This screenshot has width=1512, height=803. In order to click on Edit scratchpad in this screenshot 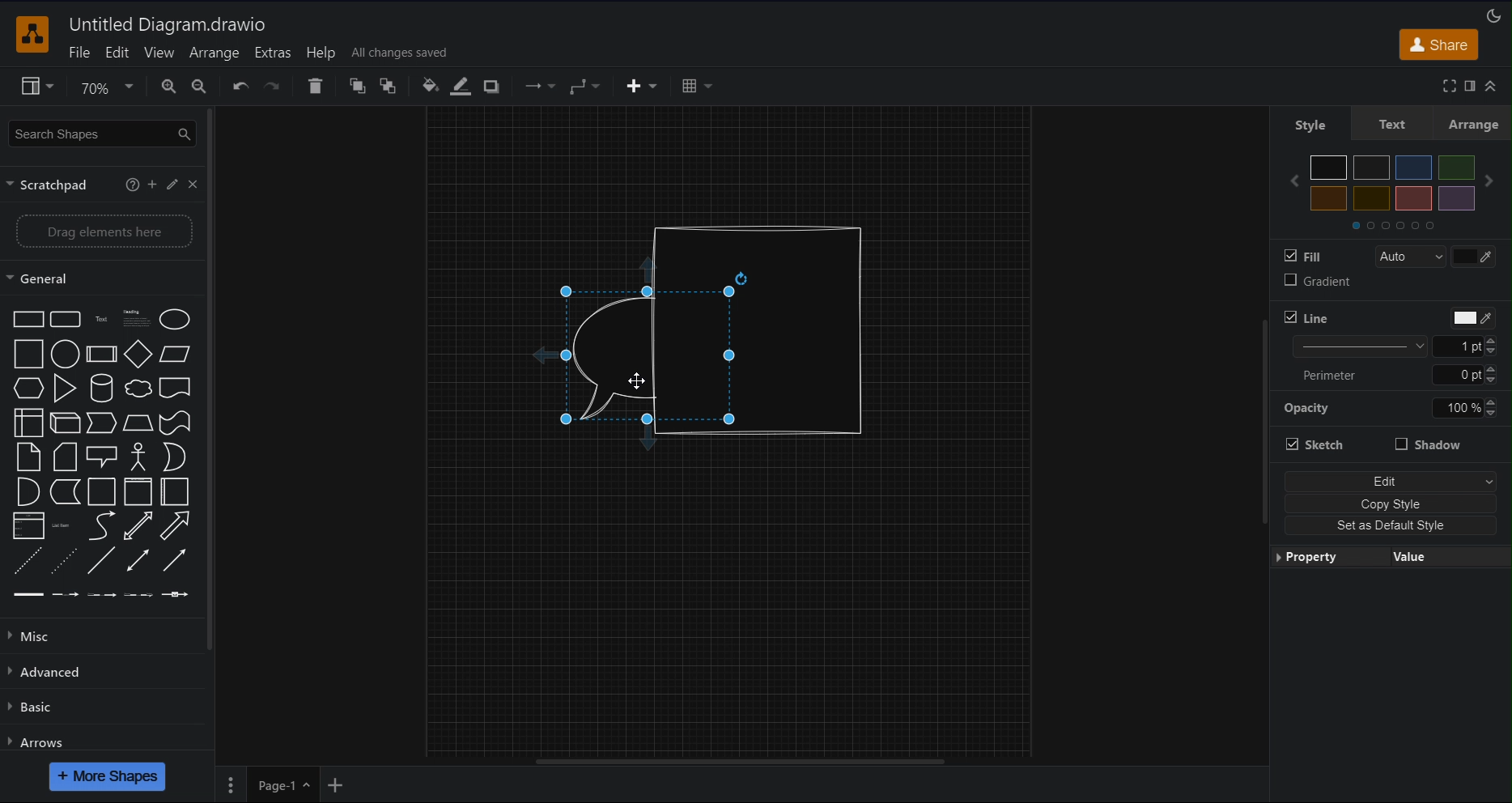, I will do `click(172, 185)`.